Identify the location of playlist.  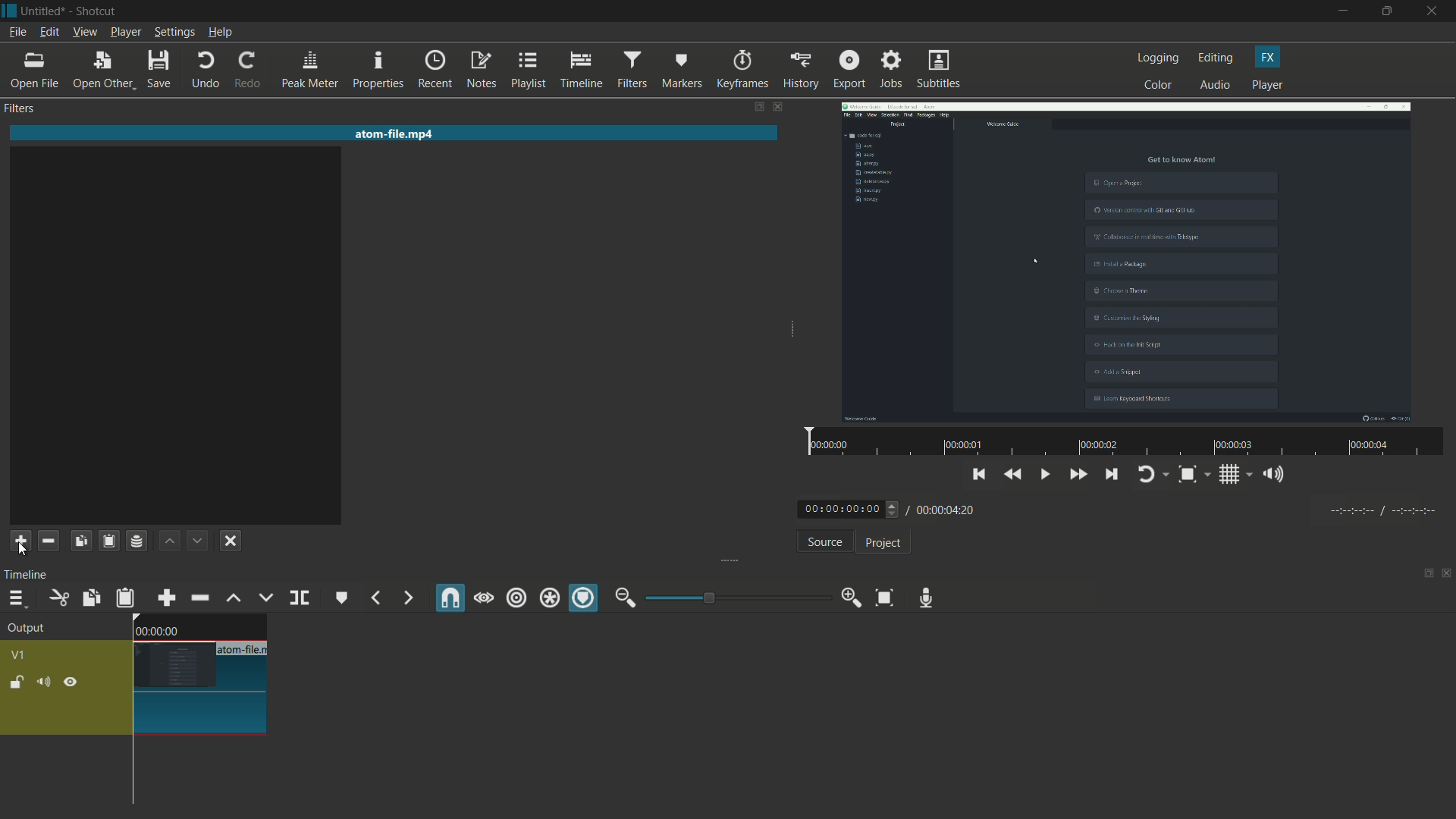
(529, 70).